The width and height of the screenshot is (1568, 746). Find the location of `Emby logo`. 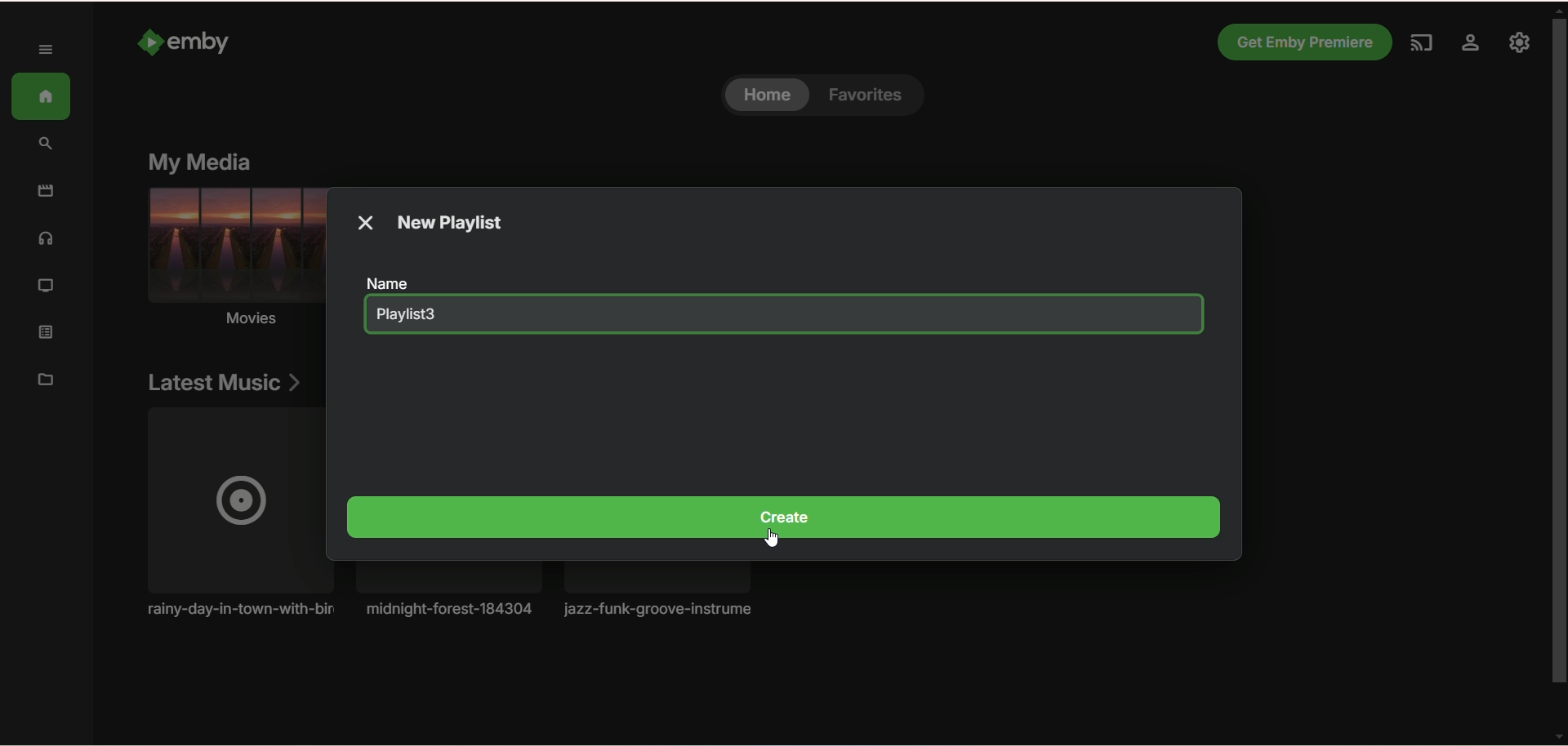

Emby logo is located at coordinates (149, 42).